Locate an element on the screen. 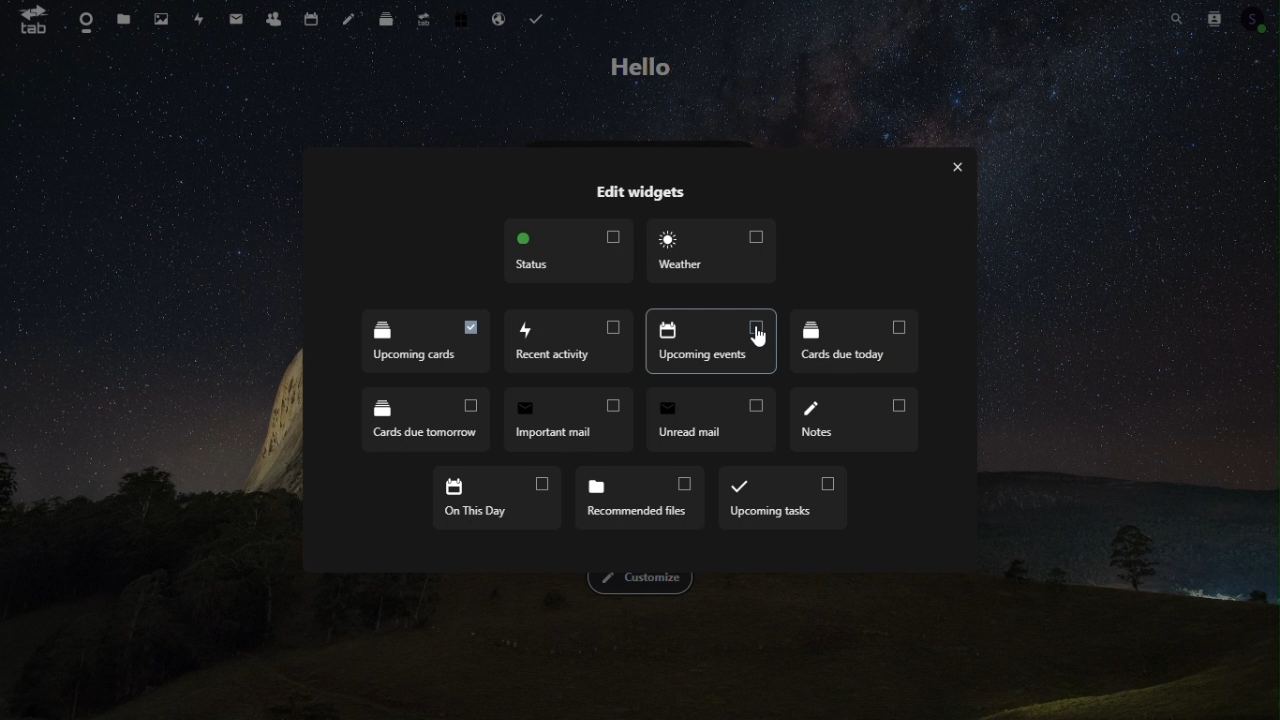  Account icon is located at coordinates (1256, 17).